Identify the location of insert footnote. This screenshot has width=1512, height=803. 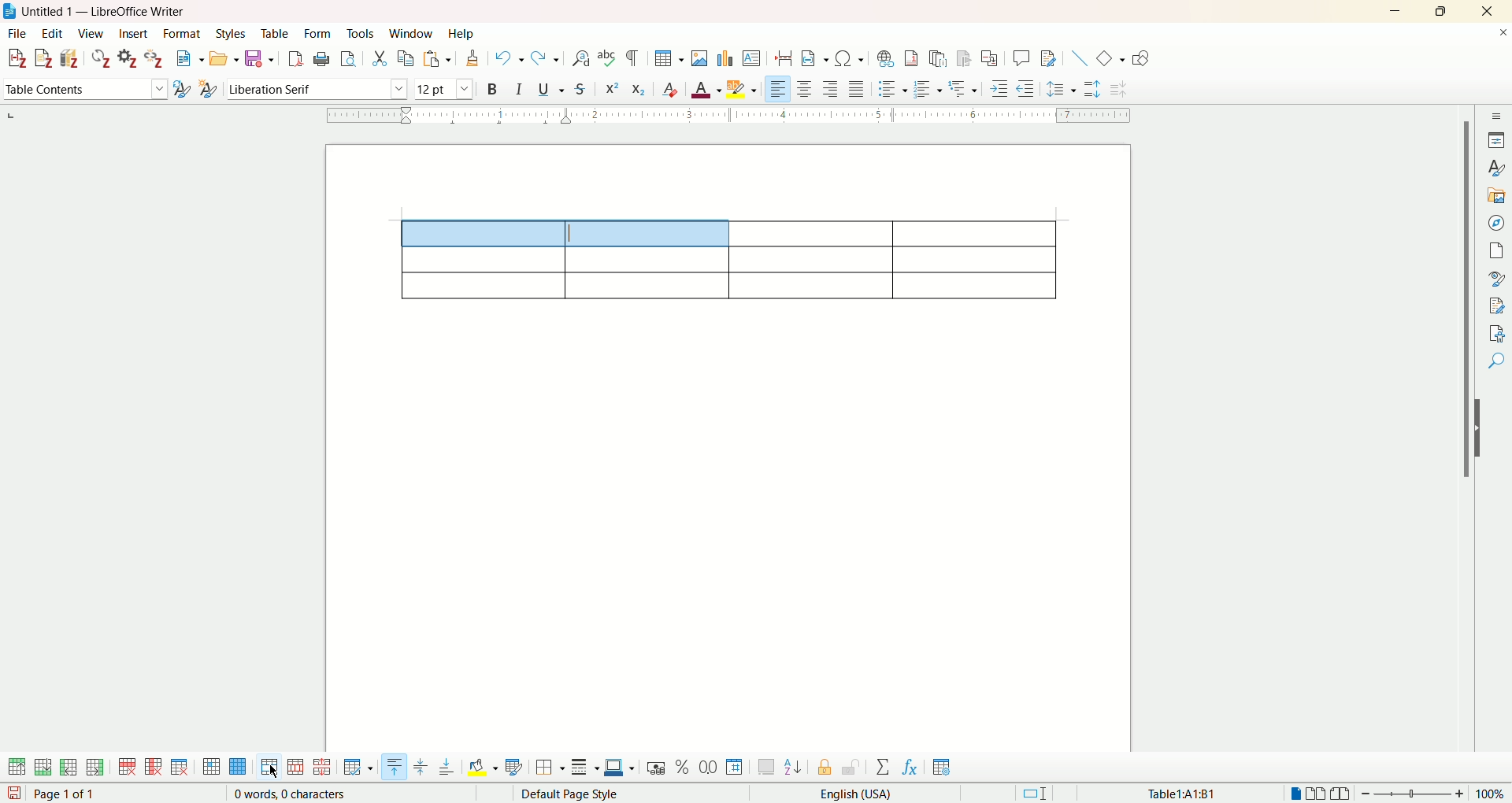
(913, 58).